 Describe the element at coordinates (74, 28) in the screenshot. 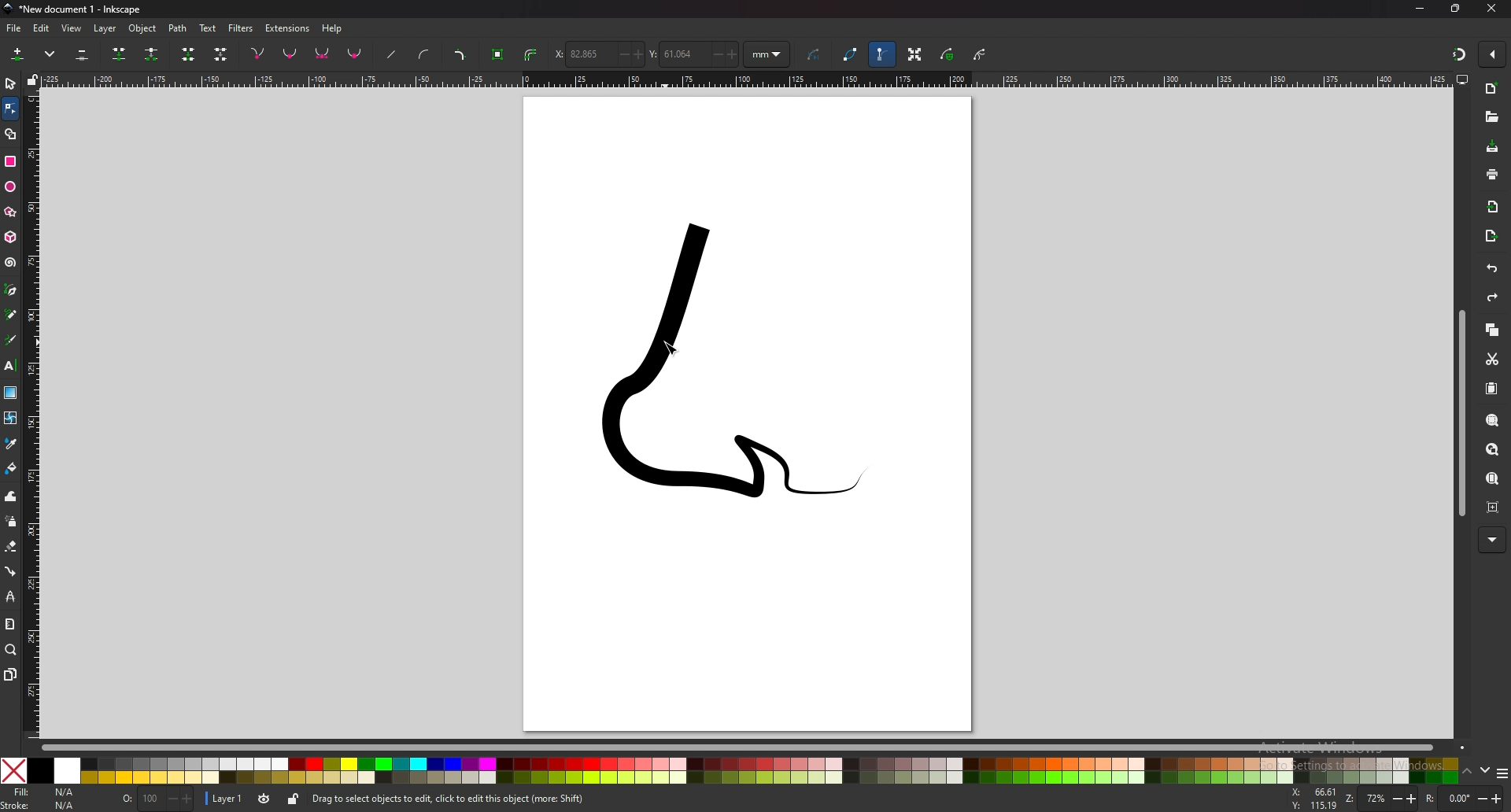

I see `view` at that location.